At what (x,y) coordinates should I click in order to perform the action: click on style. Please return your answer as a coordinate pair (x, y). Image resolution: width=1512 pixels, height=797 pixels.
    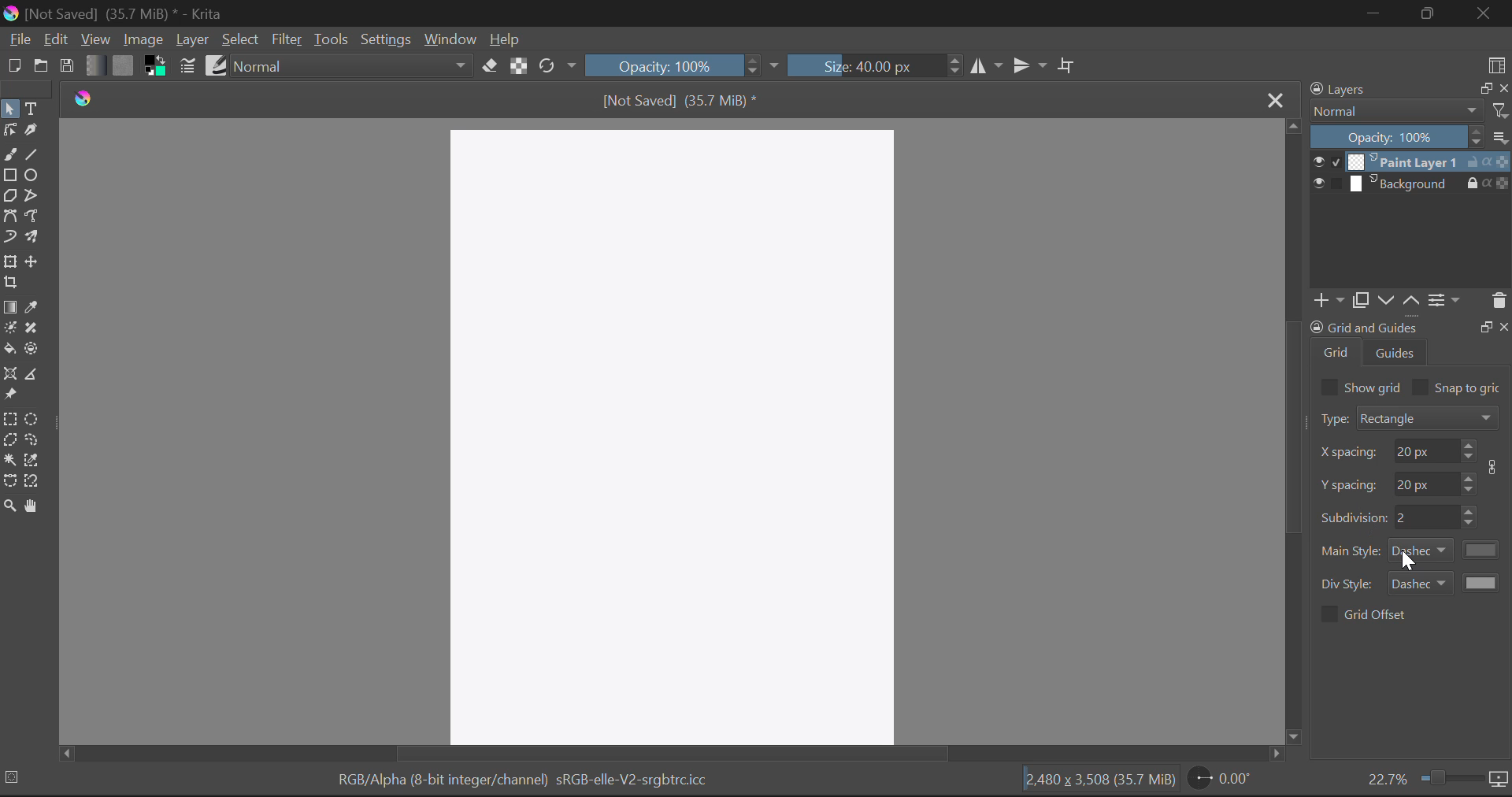
    Looking at the image, I should click on (1421, 582).